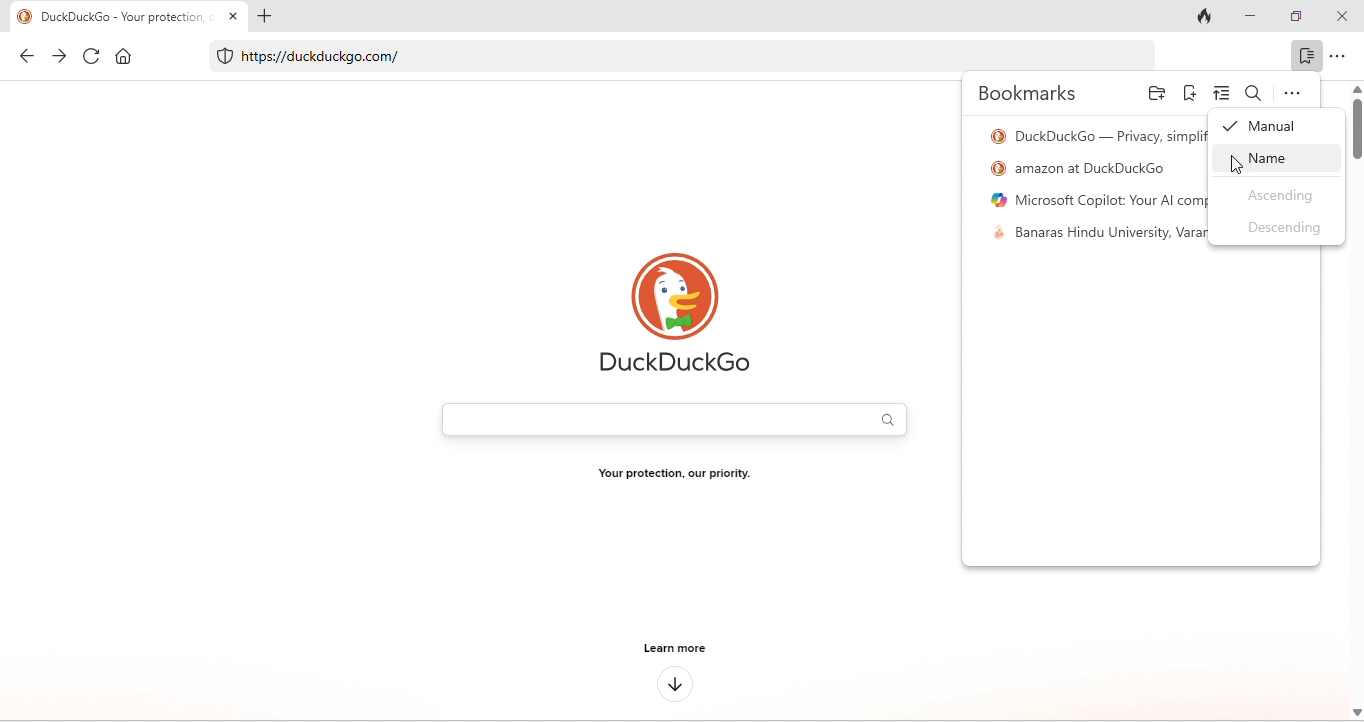 Image resolution: width=1364 pixels, height=722 pixels. What do you see at coordinates (129, 17) in the screenshot?
I see `DuckDuckGo- Your protection` at bounding box center [129, 17].